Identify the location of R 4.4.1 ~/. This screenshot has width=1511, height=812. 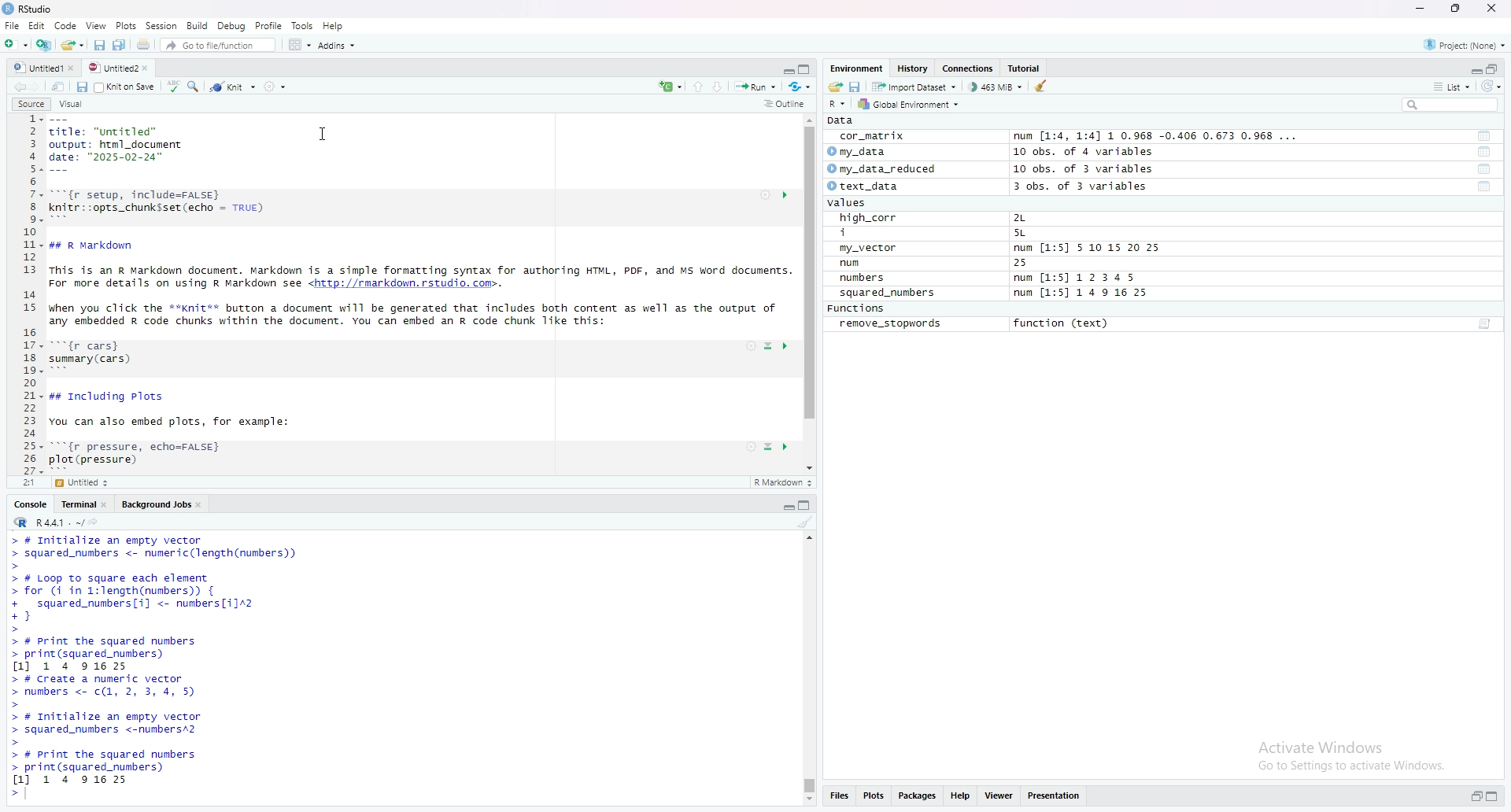
(43, 524).